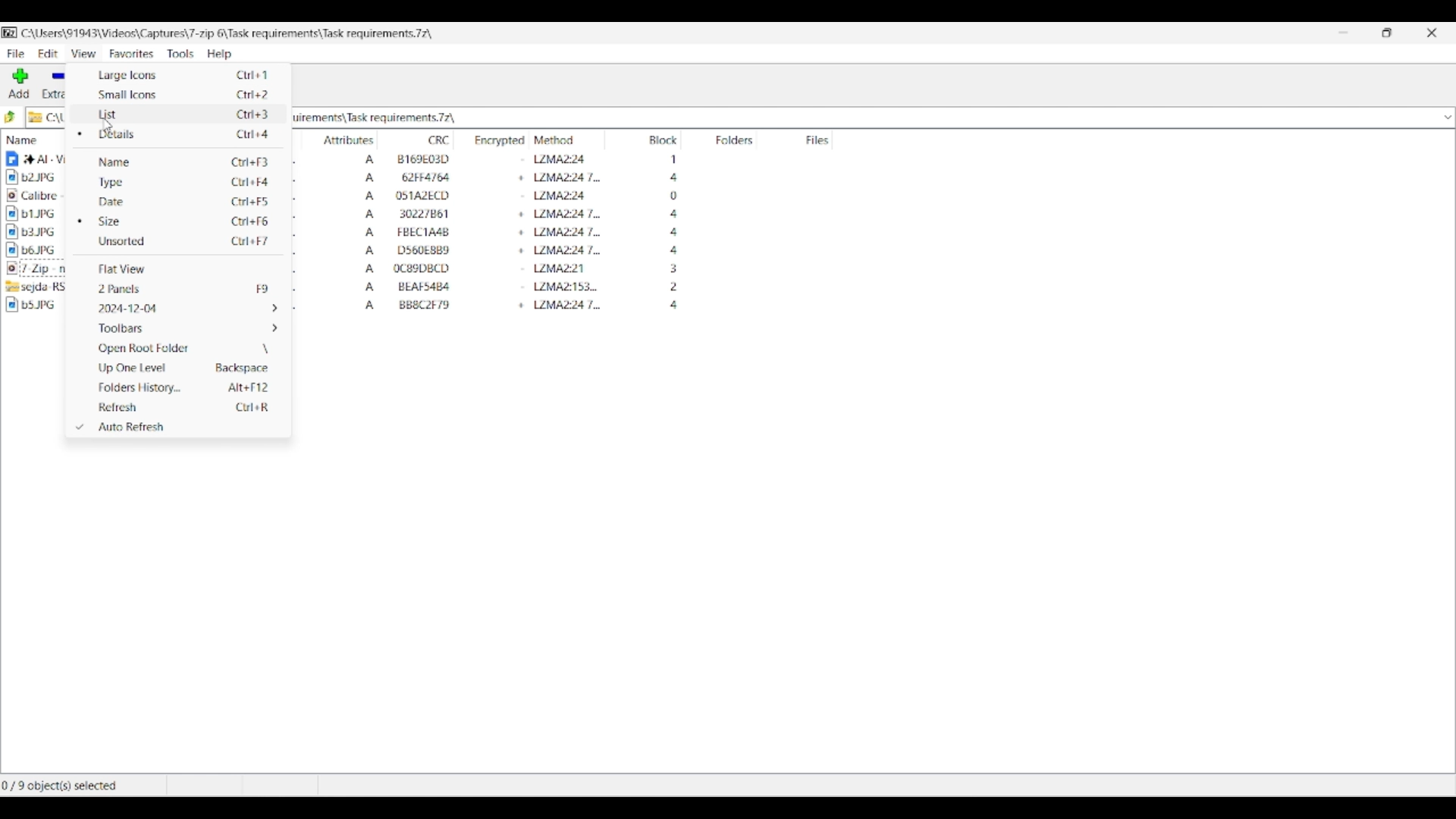  I want to click on Type, so click(184, 184).